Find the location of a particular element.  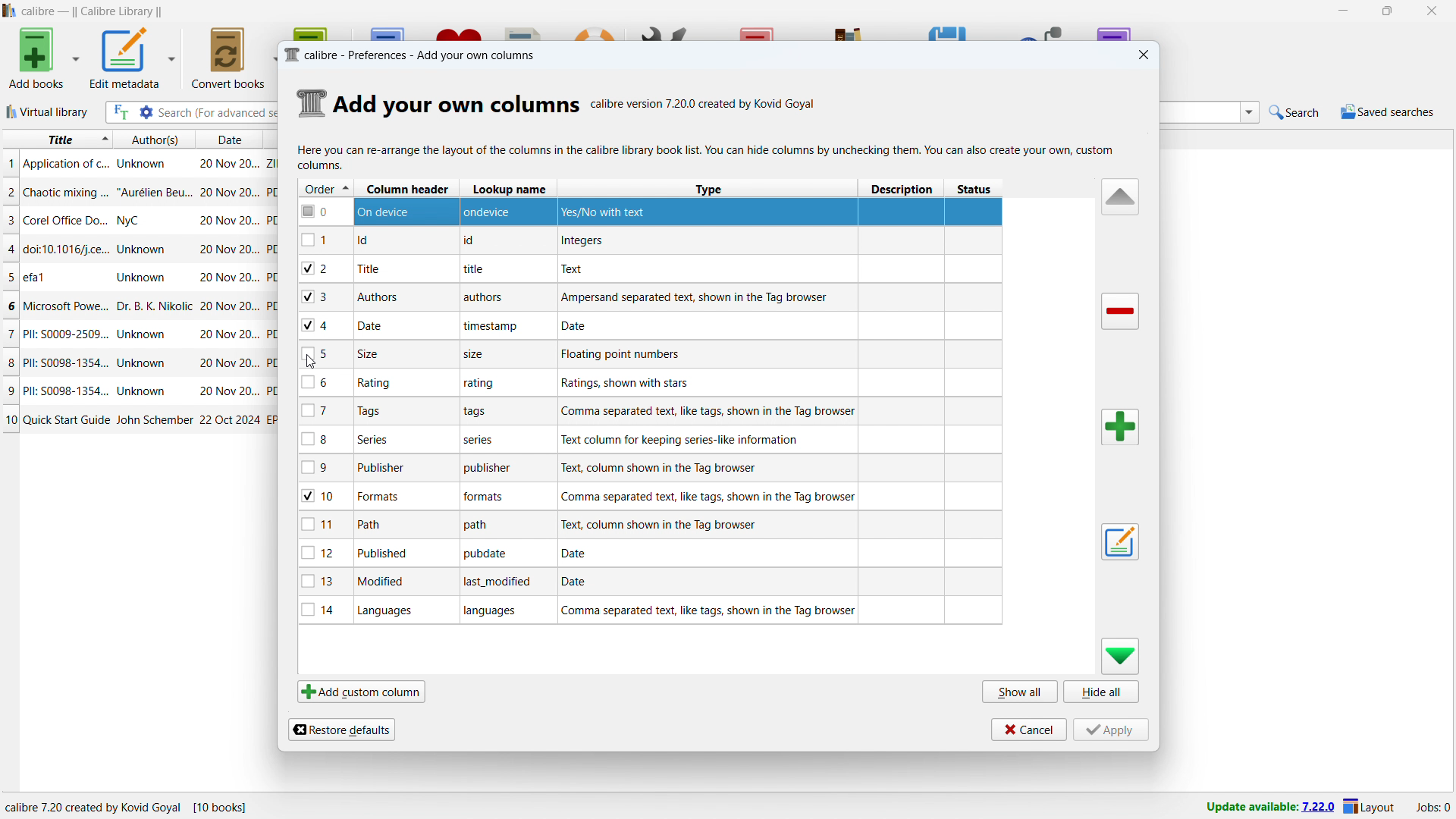

date is located at coordinates (230, 334).